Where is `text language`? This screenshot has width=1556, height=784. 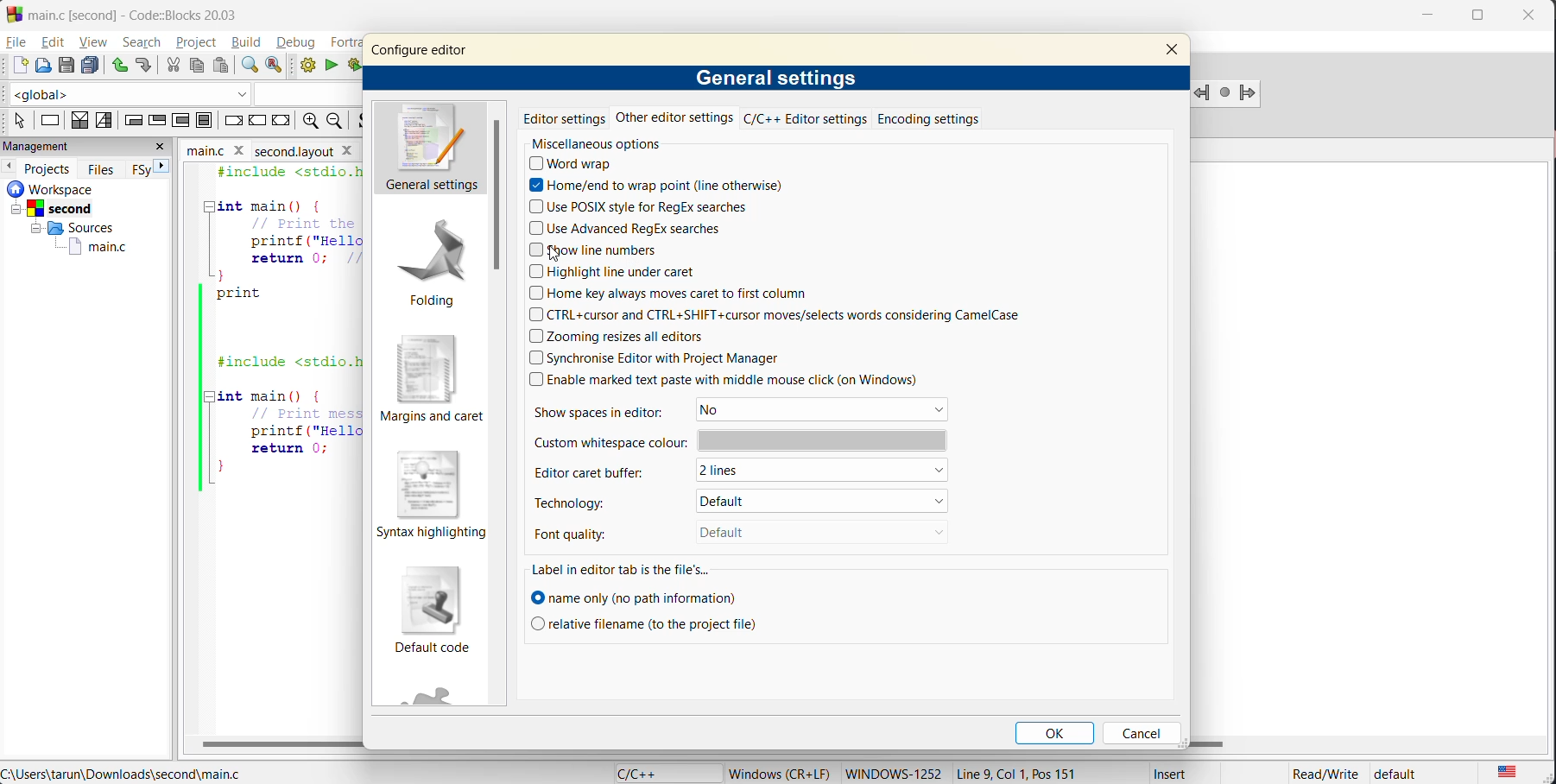
text language is located at coordinates (1506, 771).